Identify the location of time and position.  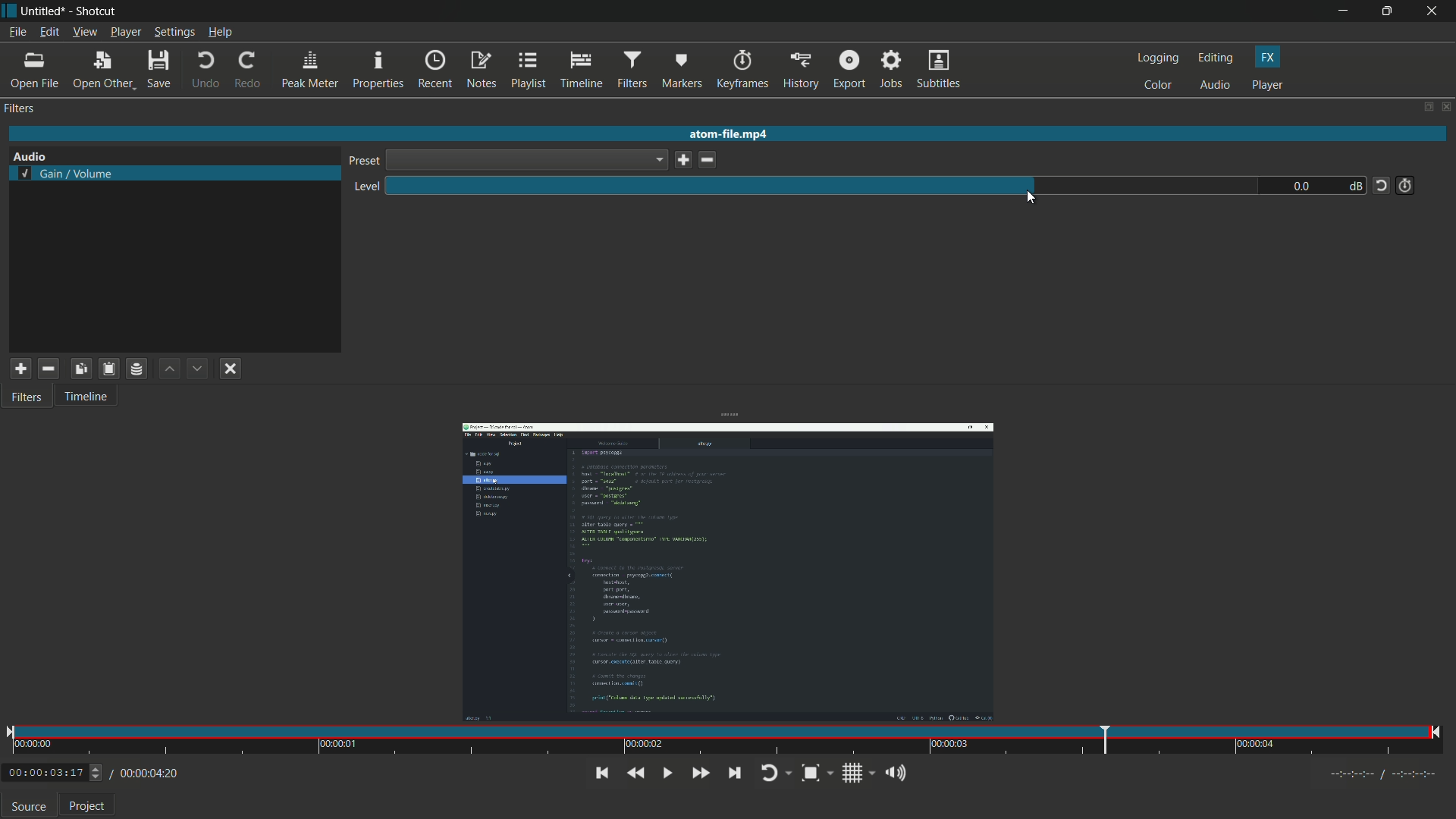
(726, 742).